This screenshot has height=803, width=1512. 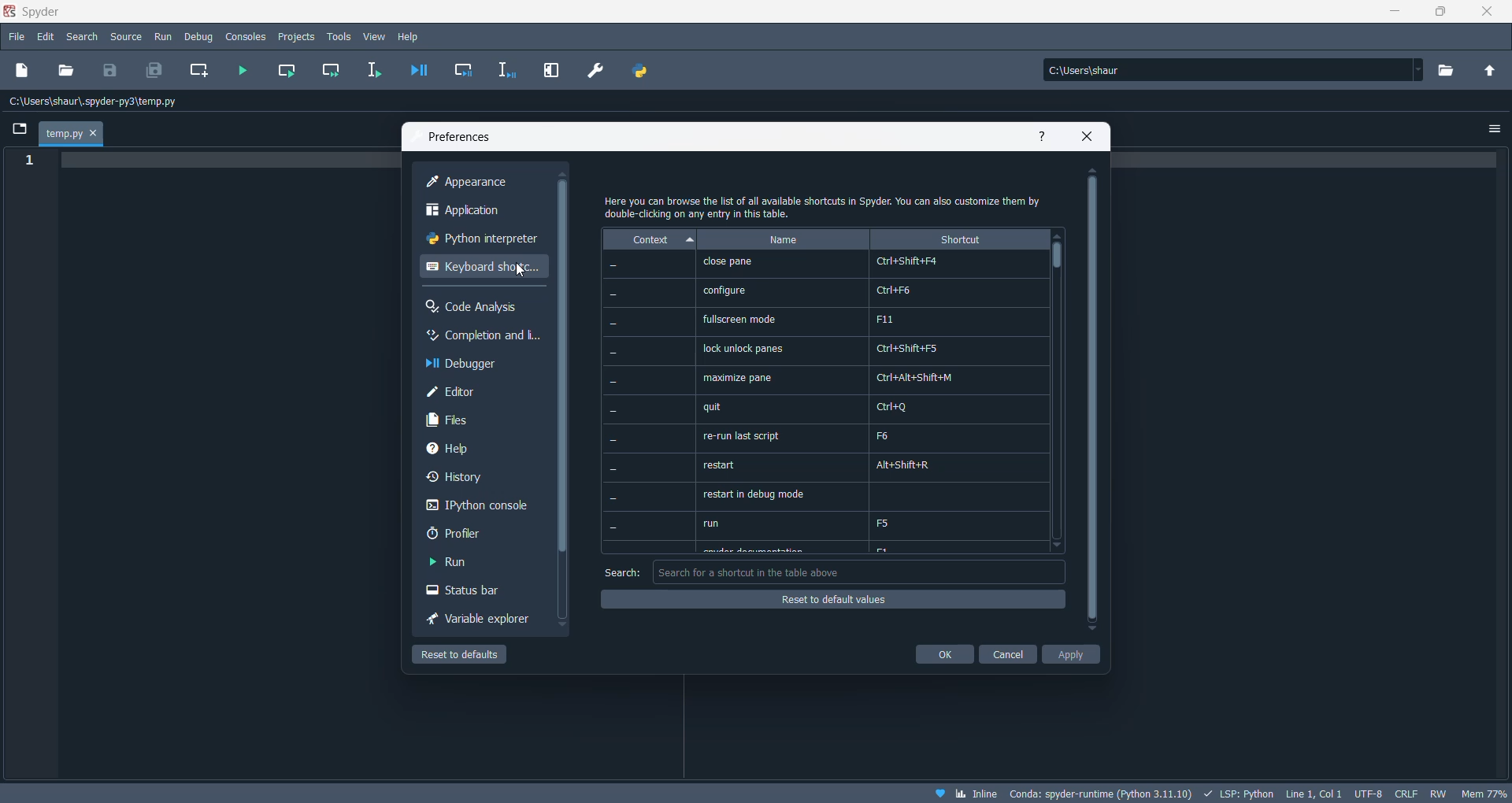 I want to click on PYTHONPATH MANAGER, so click(x=643, y=71).